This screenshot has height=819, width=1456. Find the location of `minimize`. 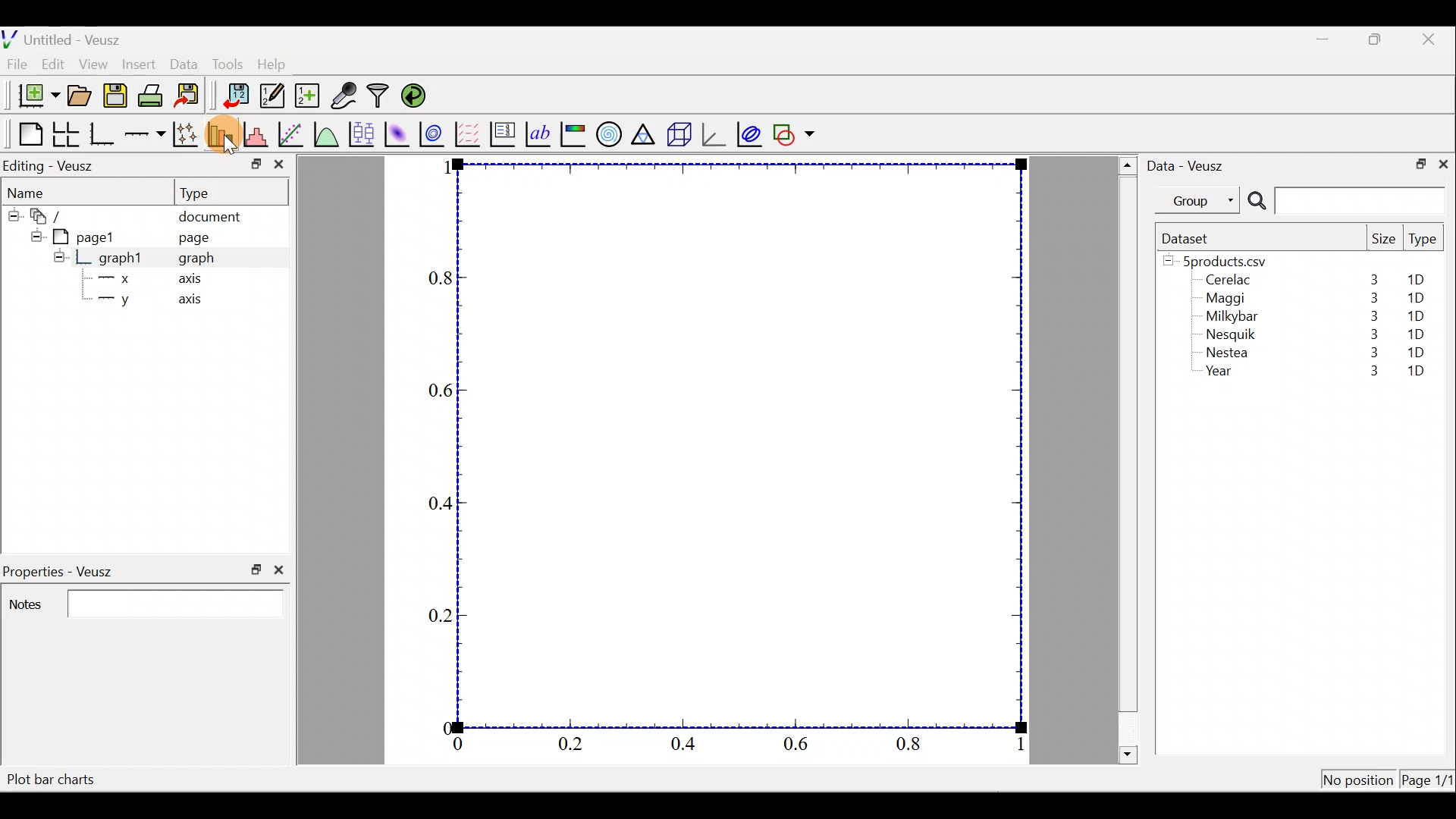

minimize is located at coordinates (1330, 38).